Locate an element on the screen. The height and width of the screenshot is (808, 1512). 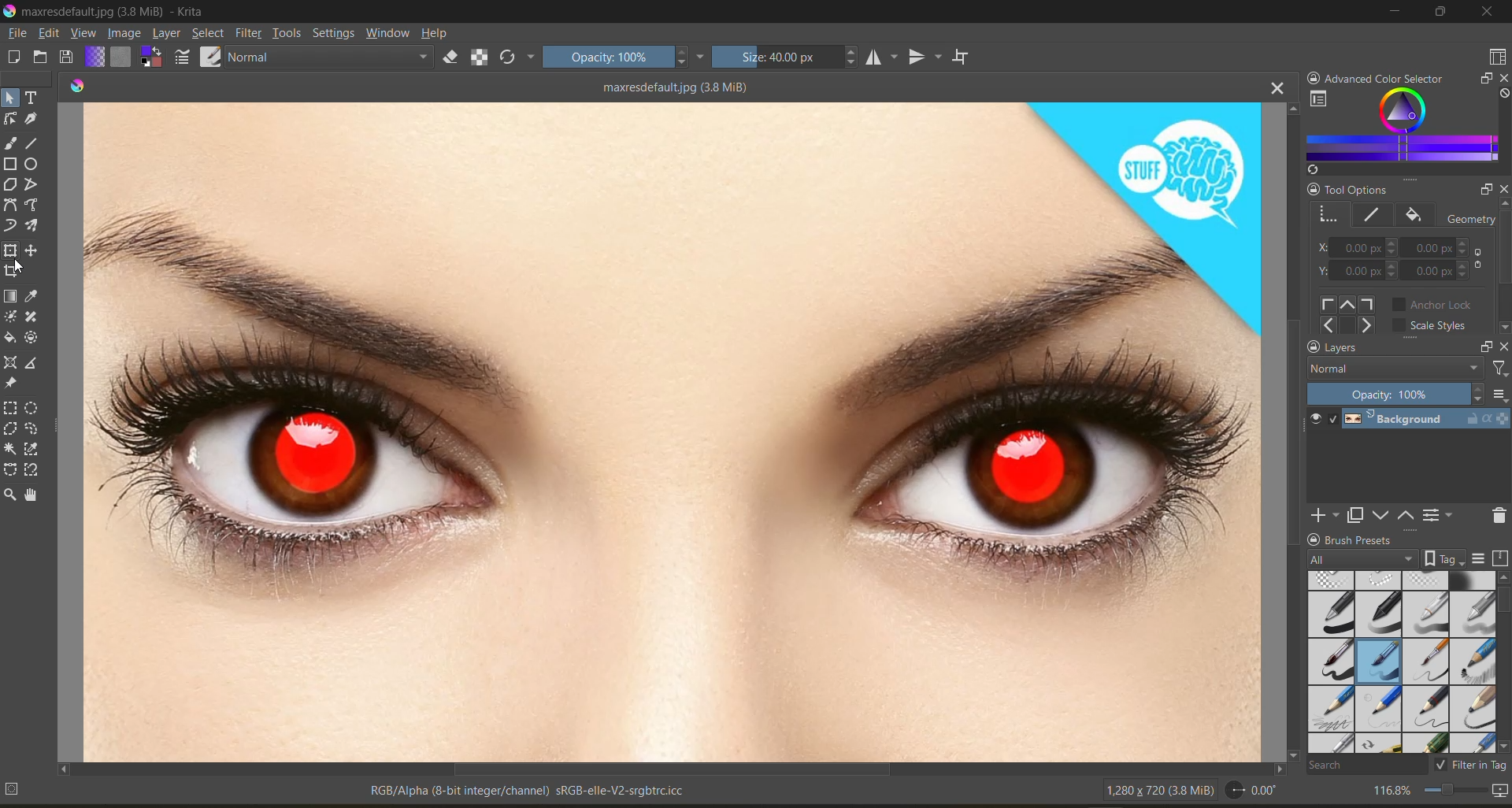
xy axis is located at coordinates (1358, 272).